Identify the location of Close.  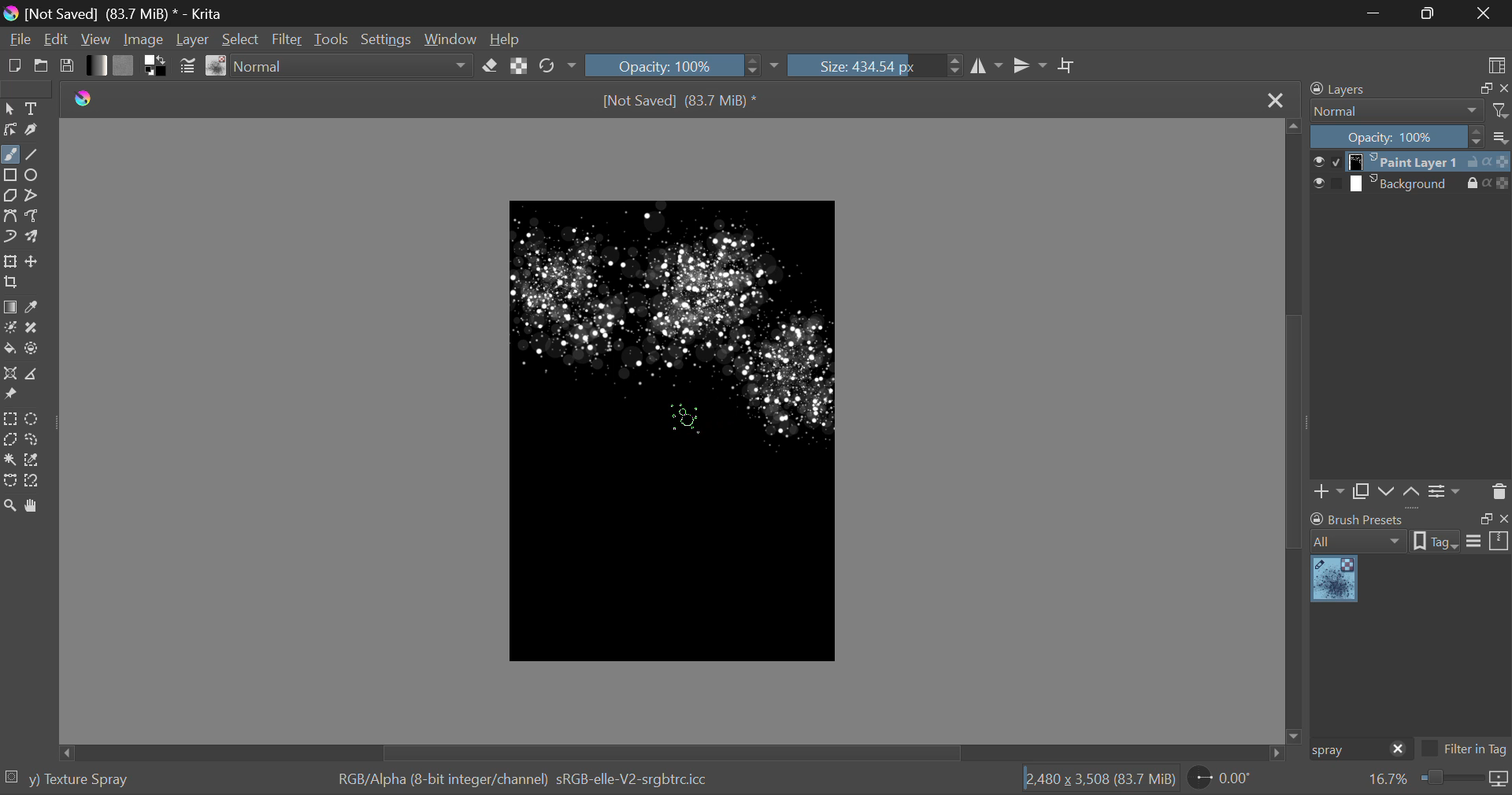
(1275, 102).